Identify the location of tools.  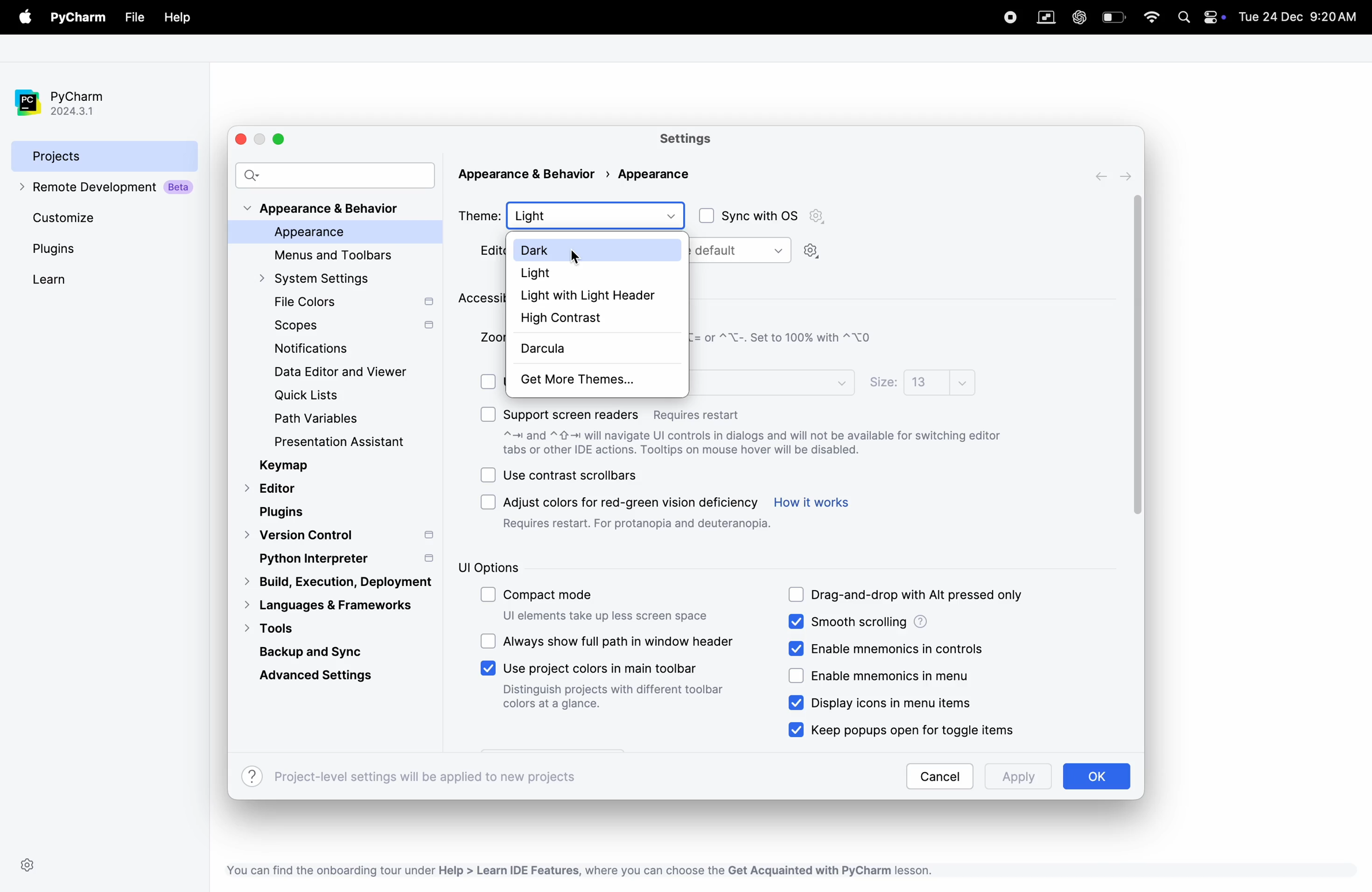
(296, 628).